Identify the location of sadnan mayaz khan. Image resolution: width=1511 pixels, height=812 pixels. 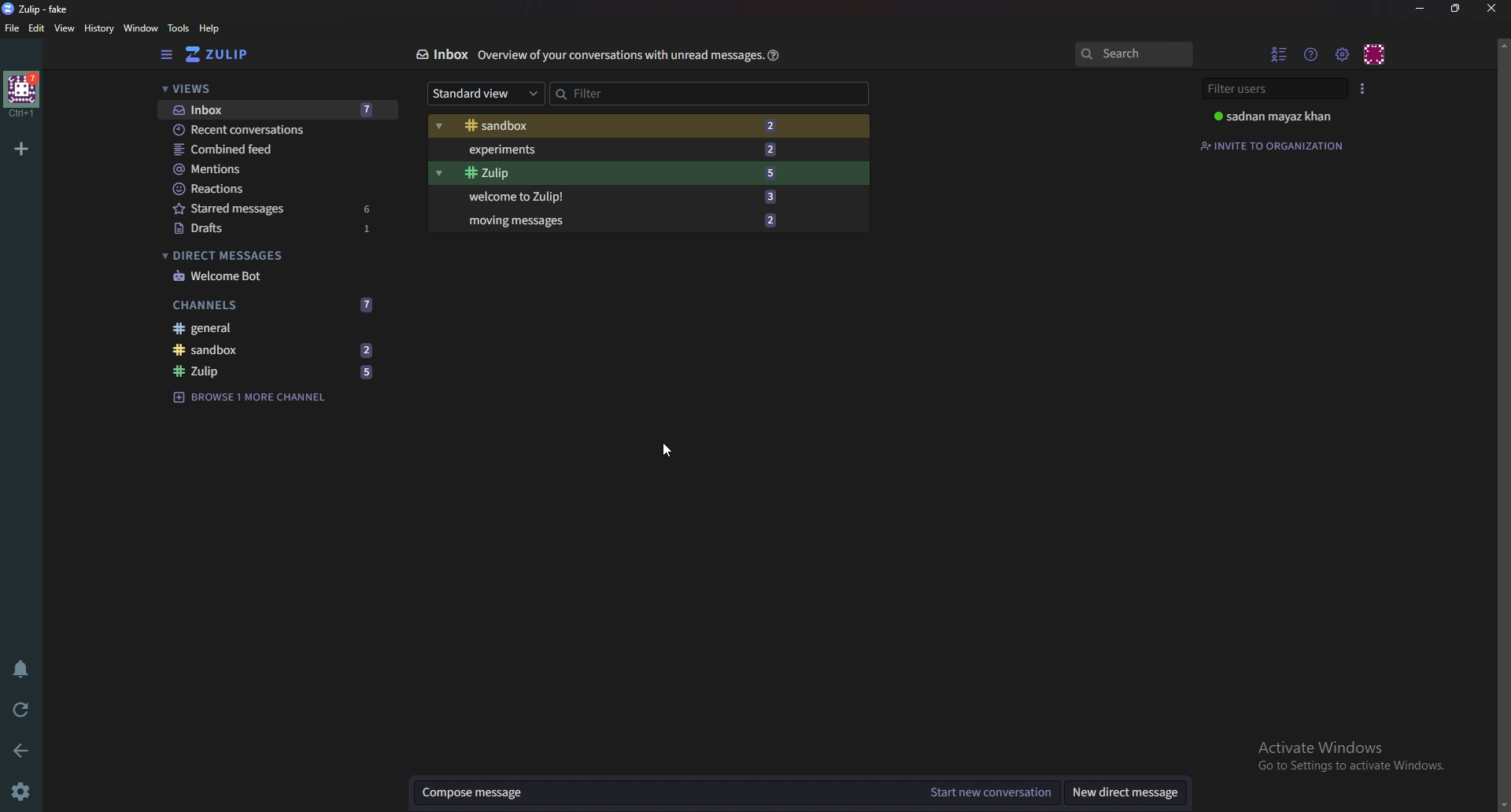
(1280, 115).